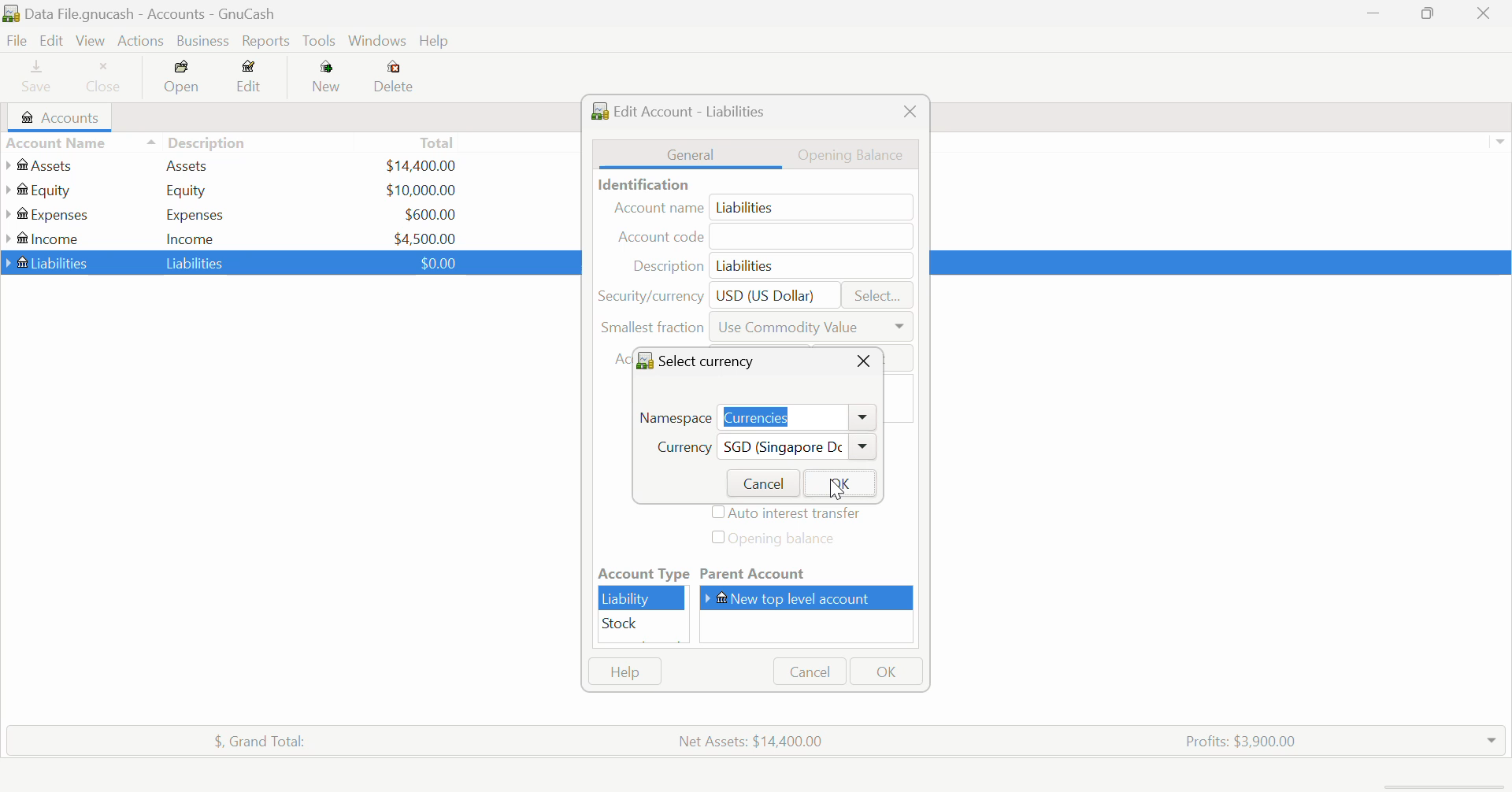 The image size is (1512, 792). I want to click on Liability, so click(643, 598).